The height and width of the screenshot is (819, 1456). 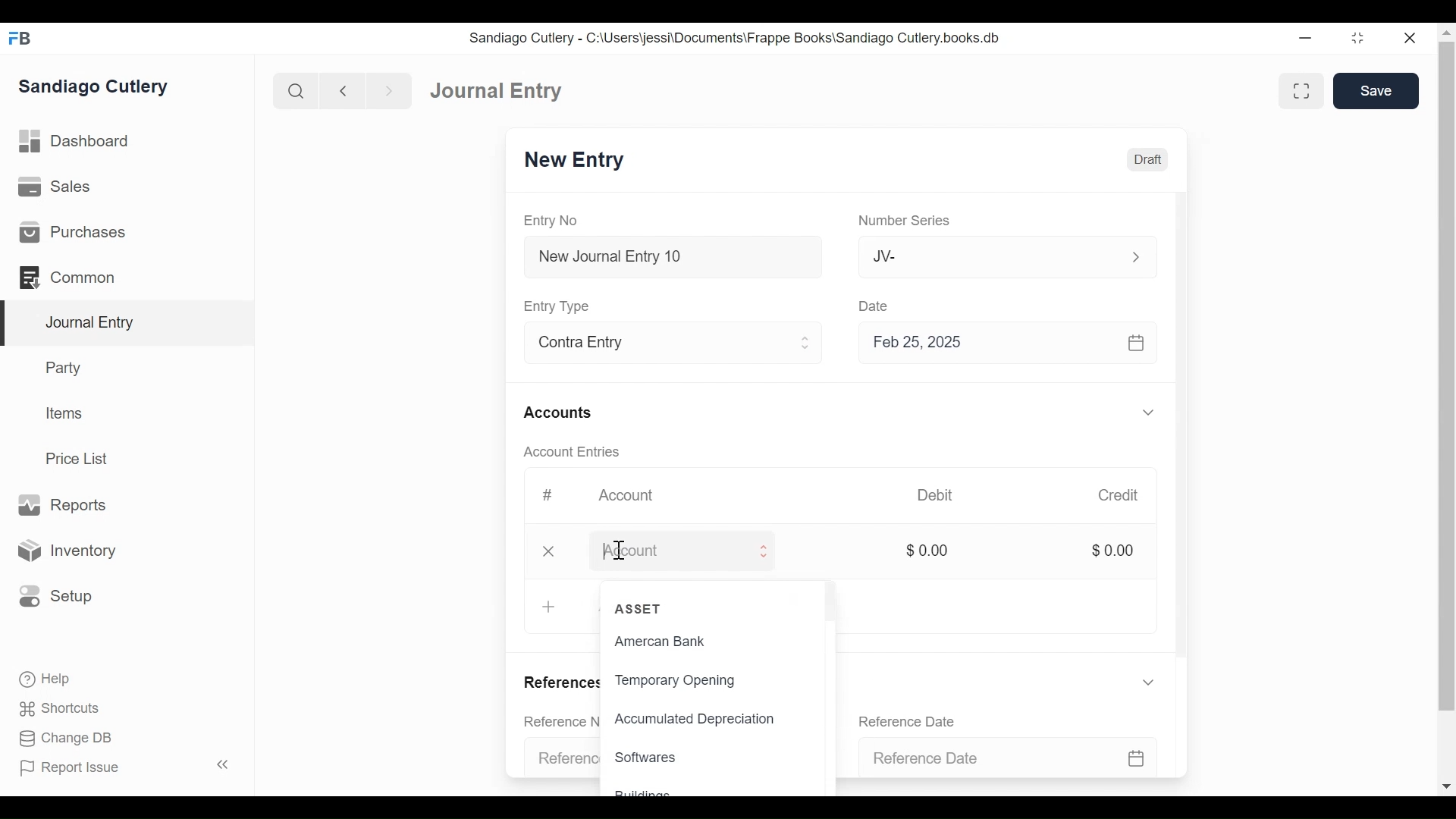 What do you see at coordinates (1151, 158) in the screenshot?
I see `Draft` at bounding box center [1151, 158].